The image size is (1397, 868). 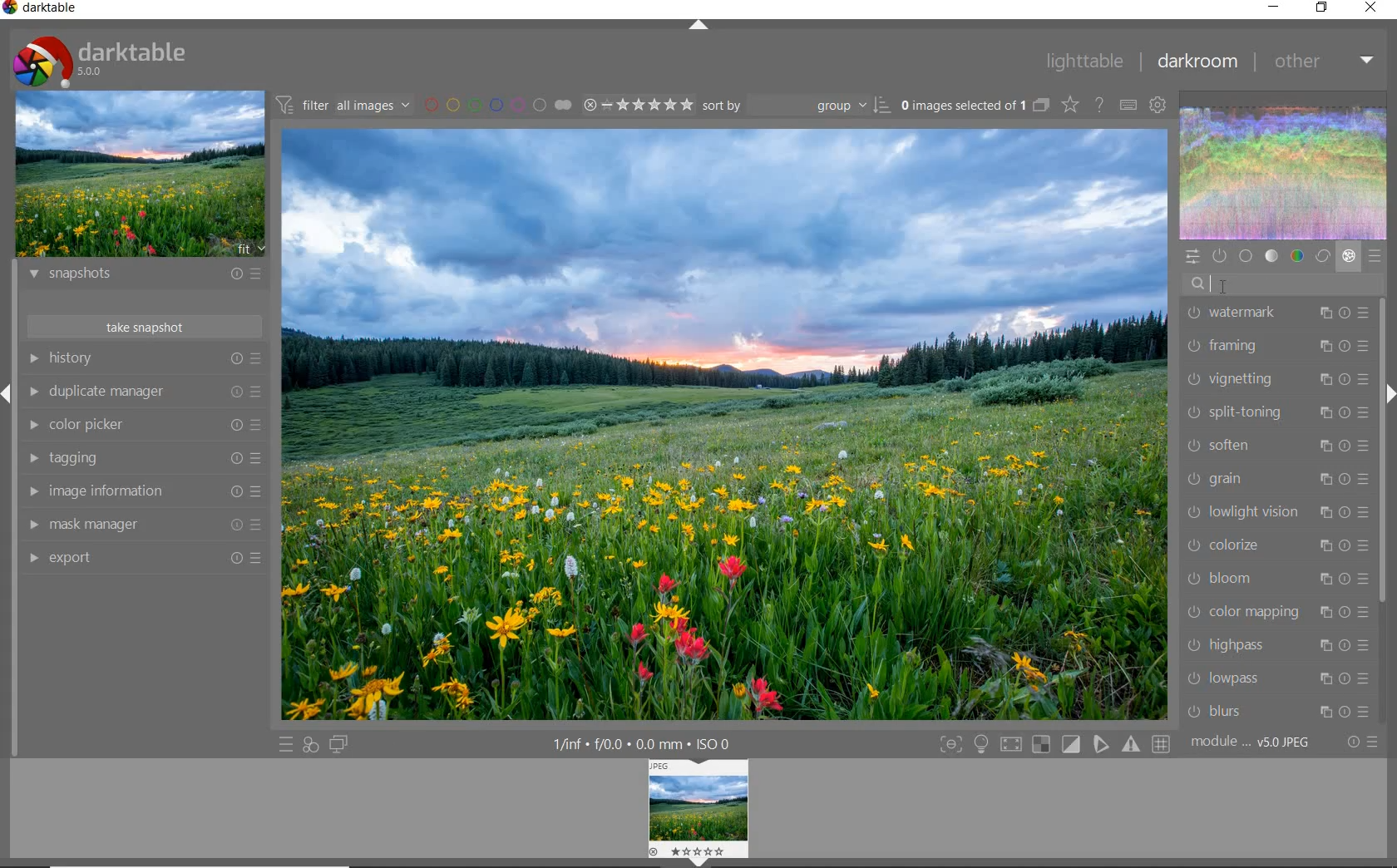 What do you see at coordinates (1275, 346) in the screenshot?
I see `framing` at bounding box center [1275, 346].